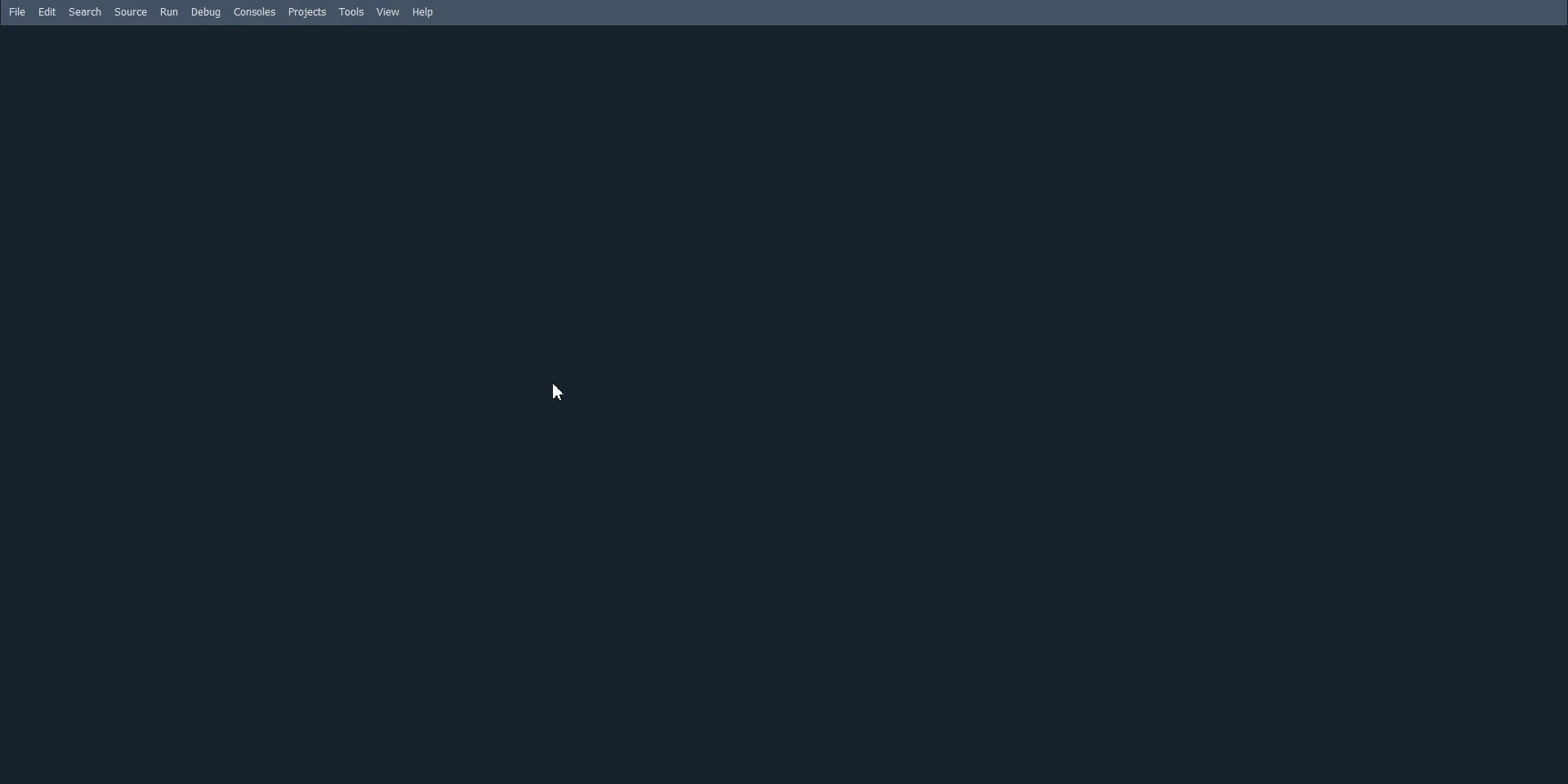 This screenshot has height=784, width=1568. Describe the element at coordinates (169, 11) in the screenshot. I see `Run` at that location.